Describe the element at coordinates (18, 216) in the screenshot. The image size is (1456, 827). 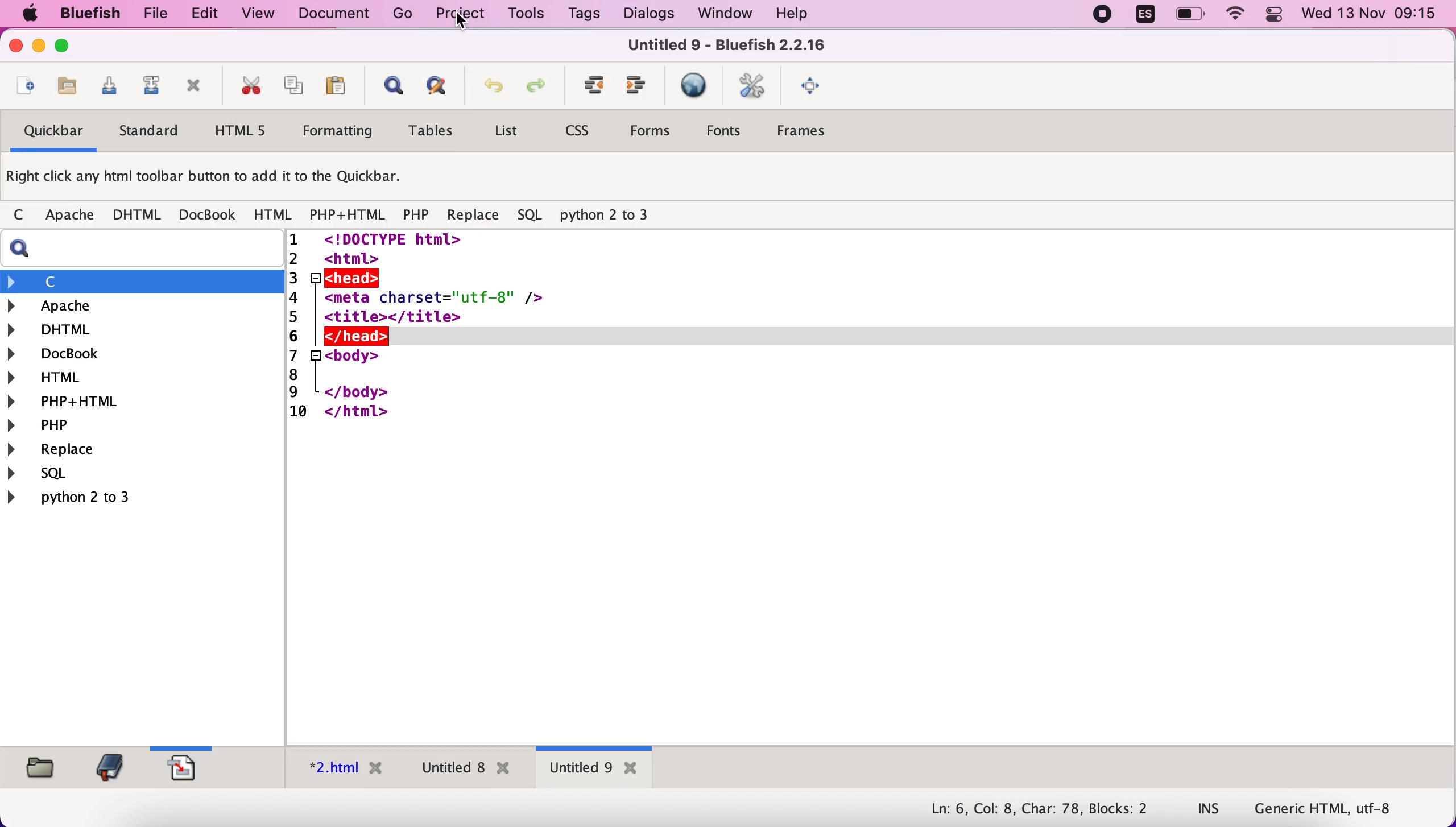
I see `c` at that location.